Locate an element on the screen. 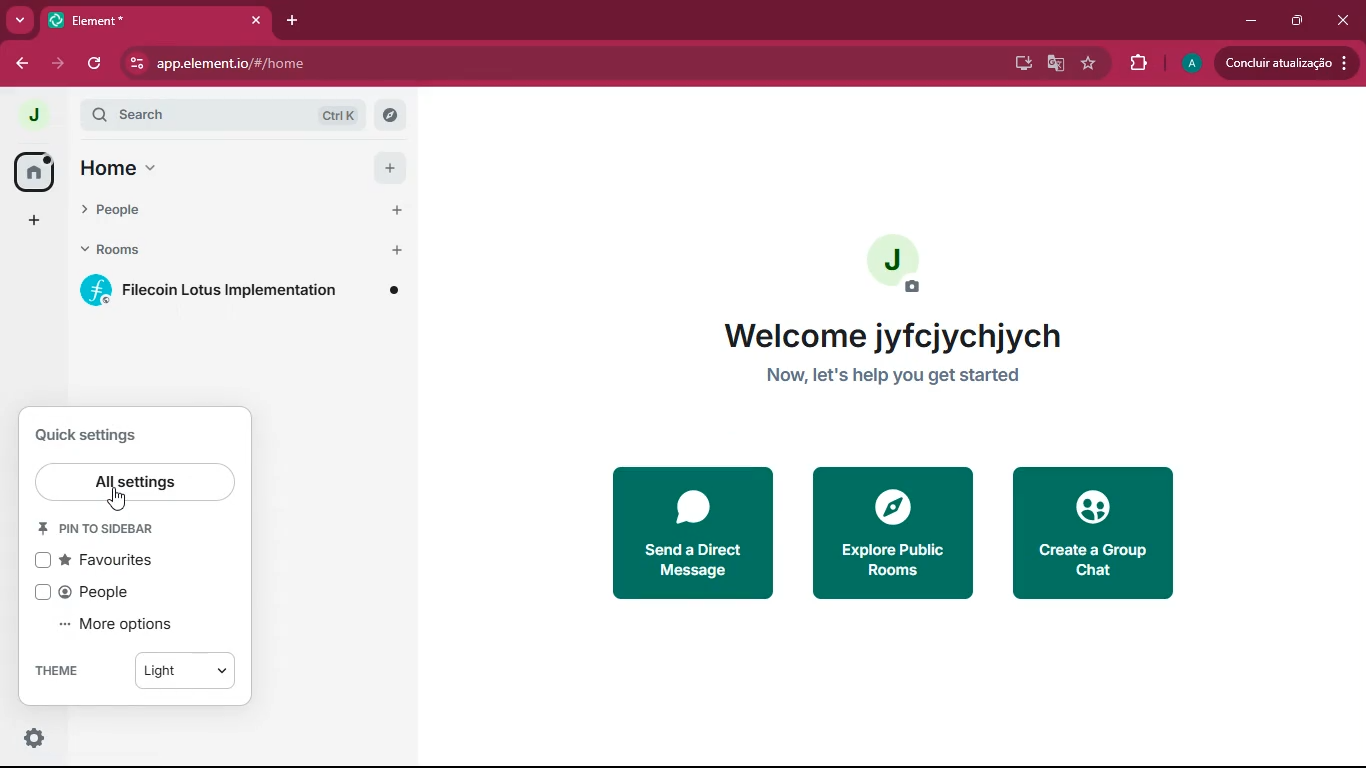  theme is located at coordinates (61, 675).